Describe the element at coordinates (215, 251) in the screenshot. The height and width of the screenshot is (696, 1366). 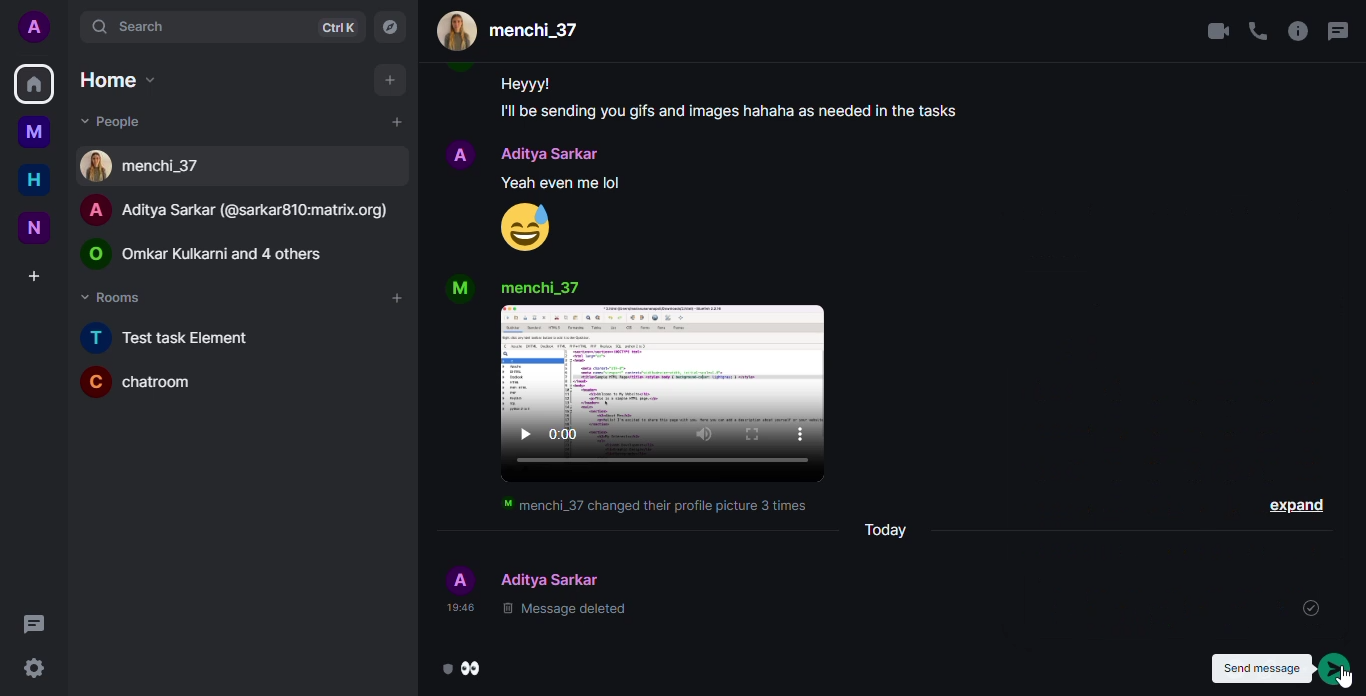
I see `people` at that location.